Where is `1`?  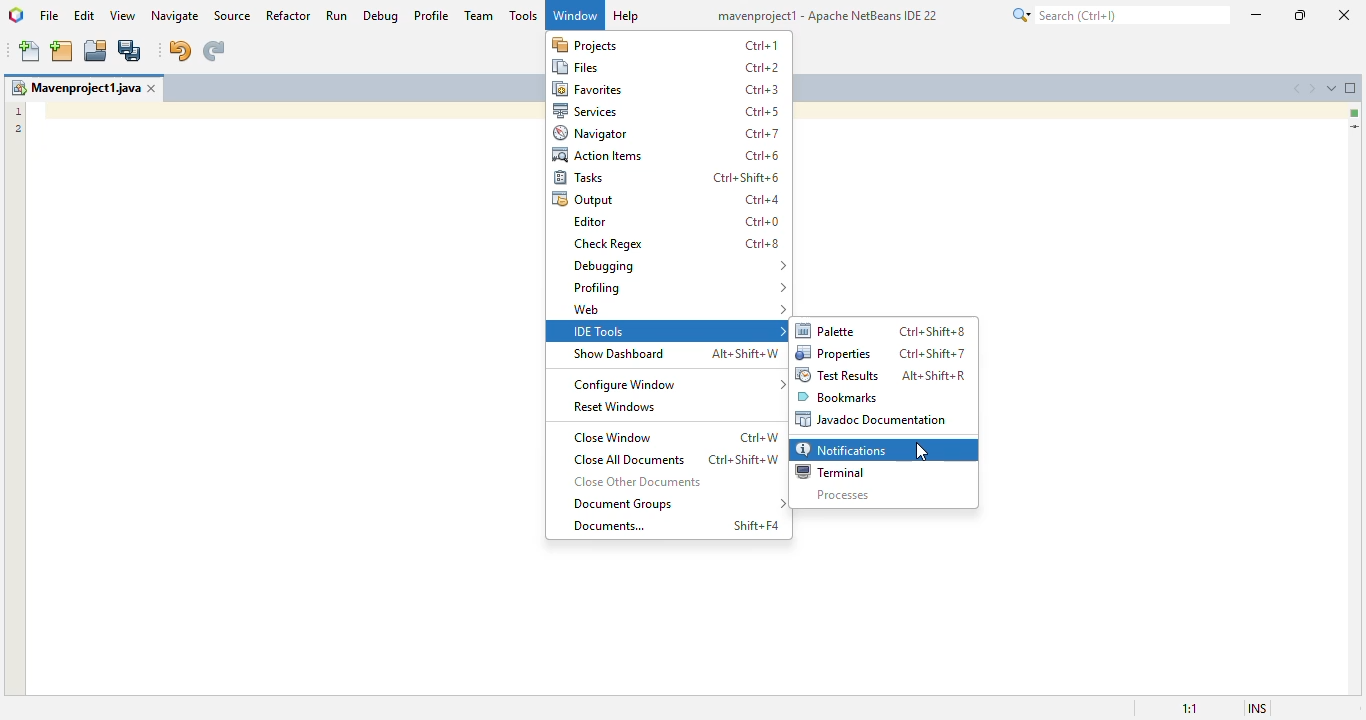
1 is located at coordinates (20, 110).